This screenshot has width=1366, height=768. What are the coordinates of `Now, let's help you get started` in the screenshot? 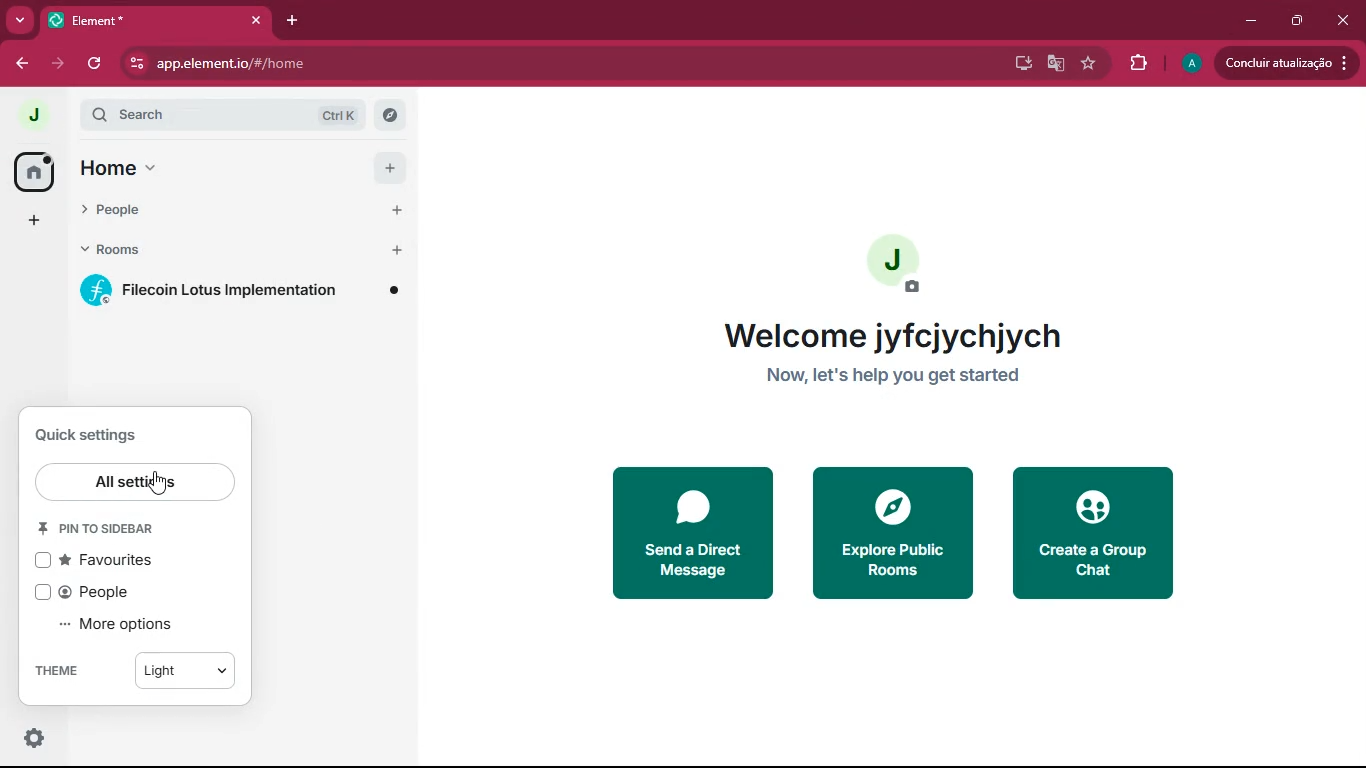 It's located at (908, 382).